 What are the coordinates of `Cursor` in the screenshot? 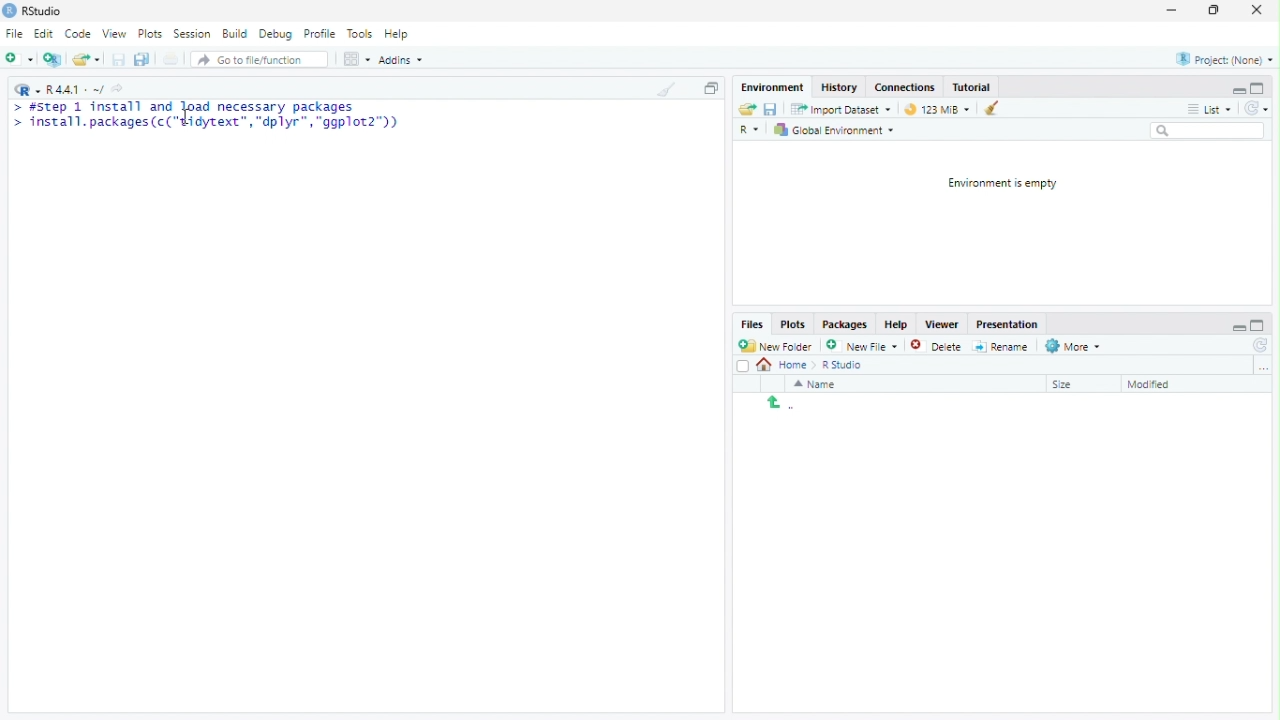 It's located at (188, 117).